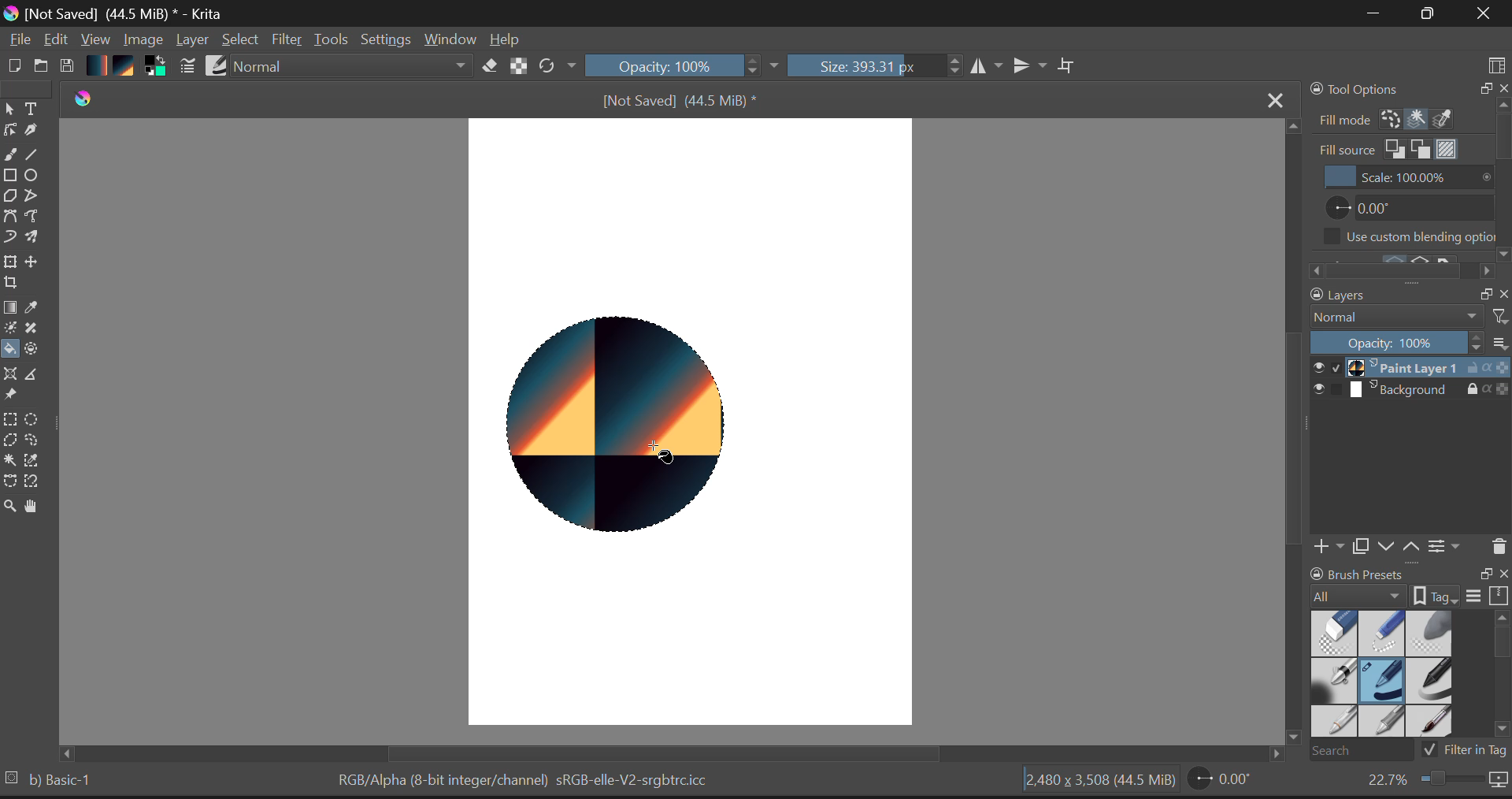 The image size is (1512, 799). What do you see at coordinates (37, 238) in the screenshot?
I see `Multibrush Tool` at bounding box center [37, 238].